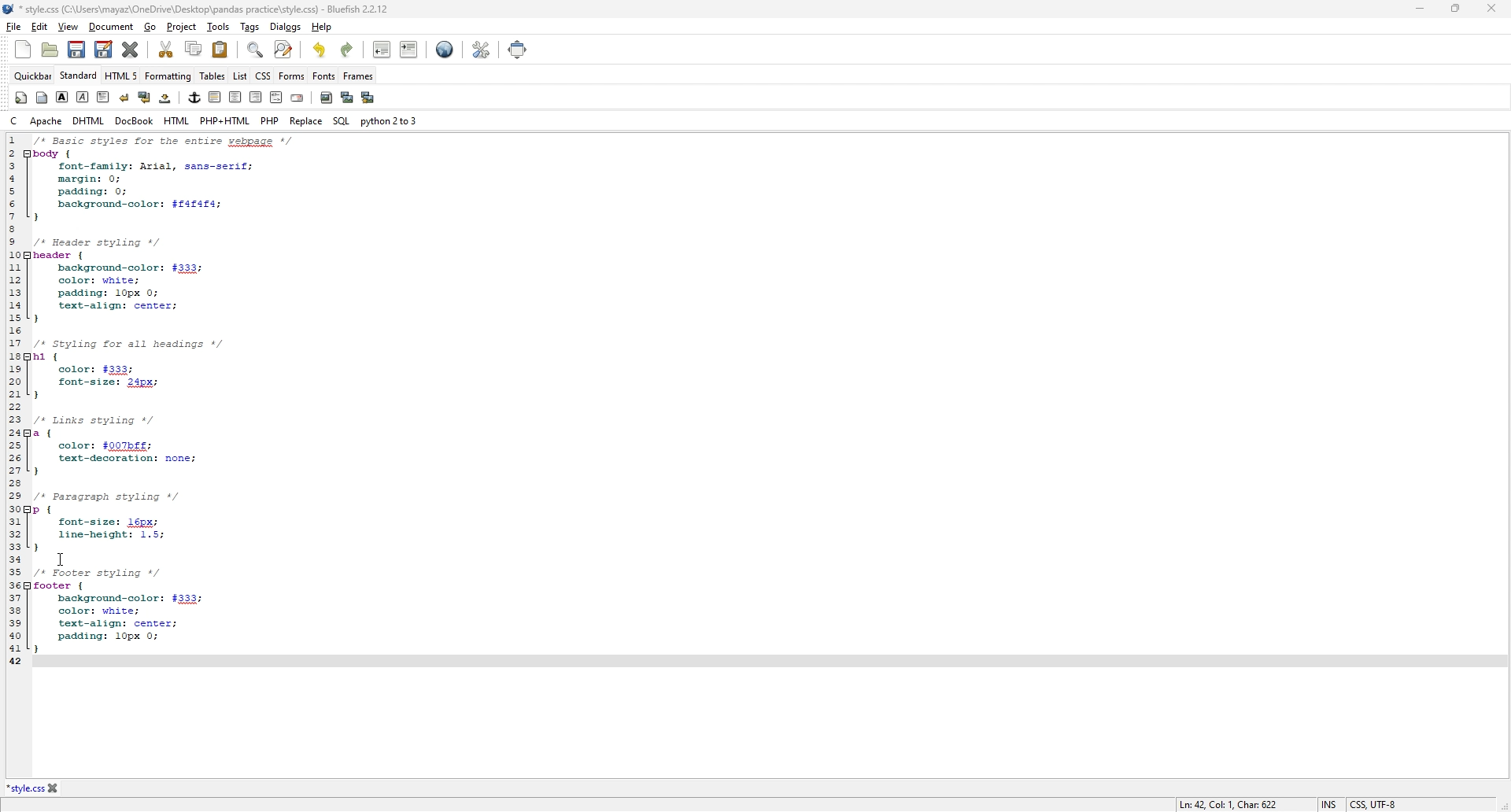 The height and width of the screenshot is (812, 1511). I want to click on CSS, UTF-8, so click(1376, 803).